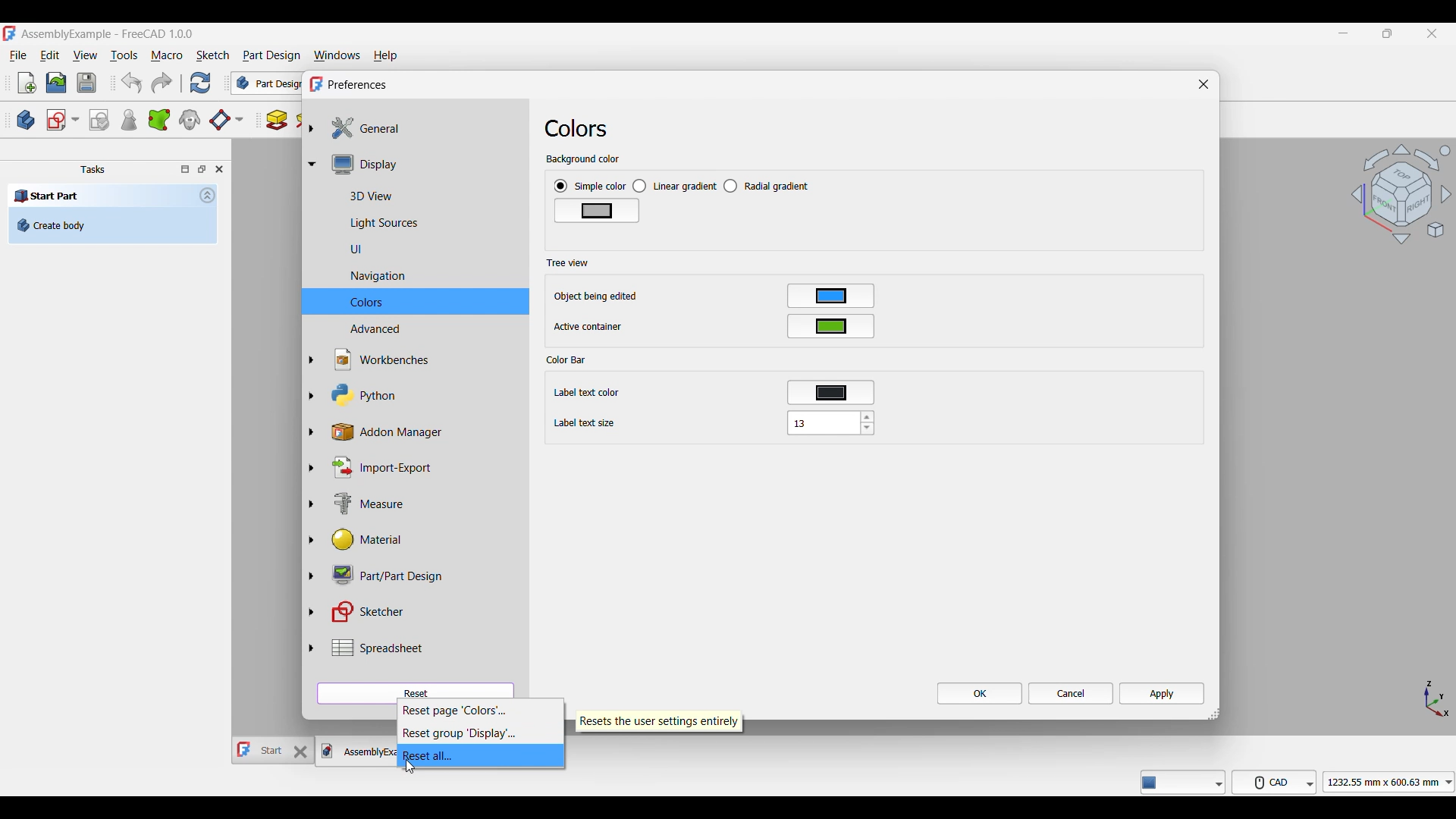 This screenshot has height=819, width=1456. Describe the element at coordinates (767, 186) in the screenshot. I see `Toggle for Radial gradient` at that location.